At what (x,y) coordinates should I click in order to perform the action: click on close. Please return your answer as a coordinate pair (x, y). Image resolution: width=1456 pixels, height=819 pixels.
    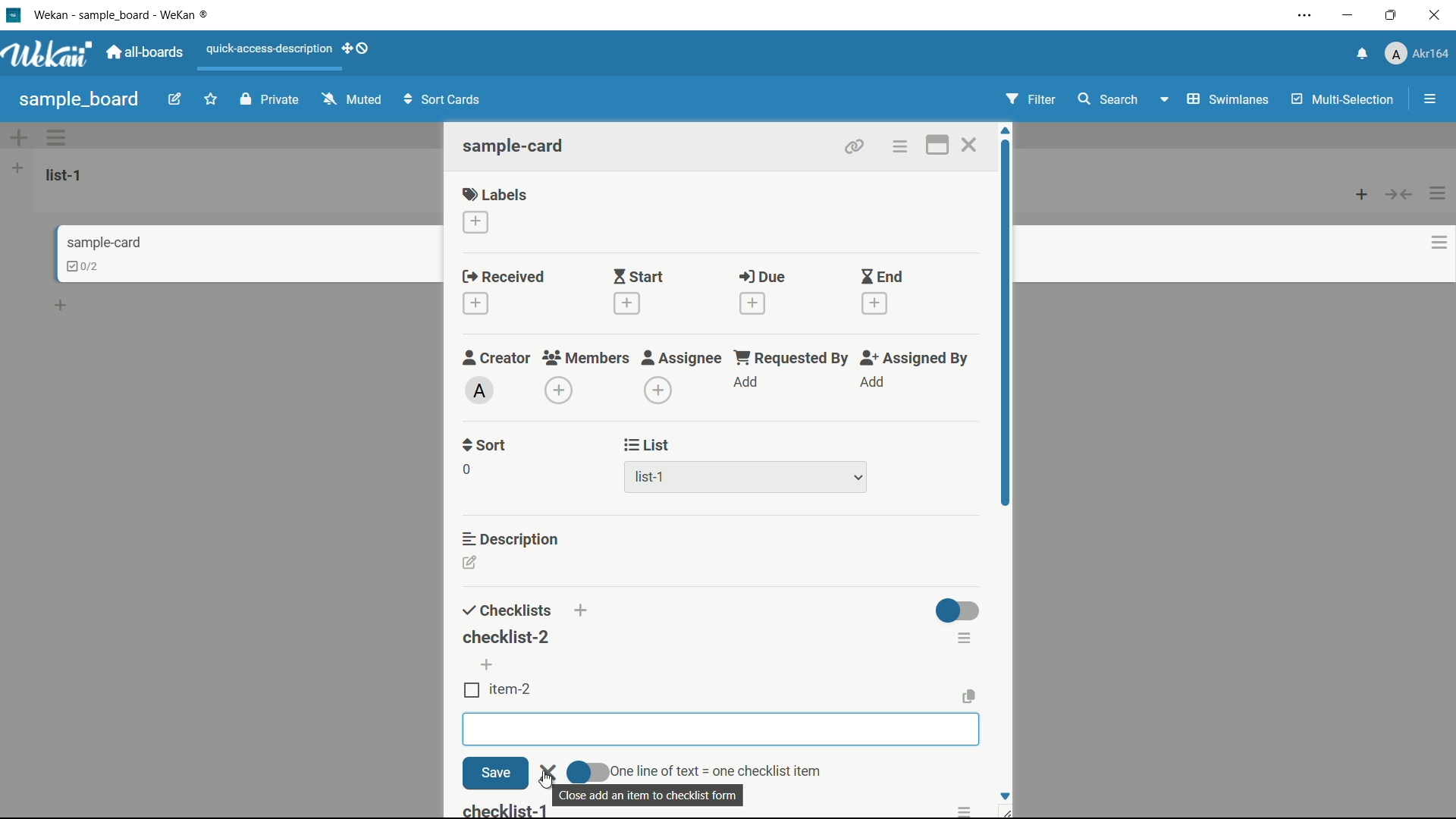
    Looking at the image, I should click on (549, 771).